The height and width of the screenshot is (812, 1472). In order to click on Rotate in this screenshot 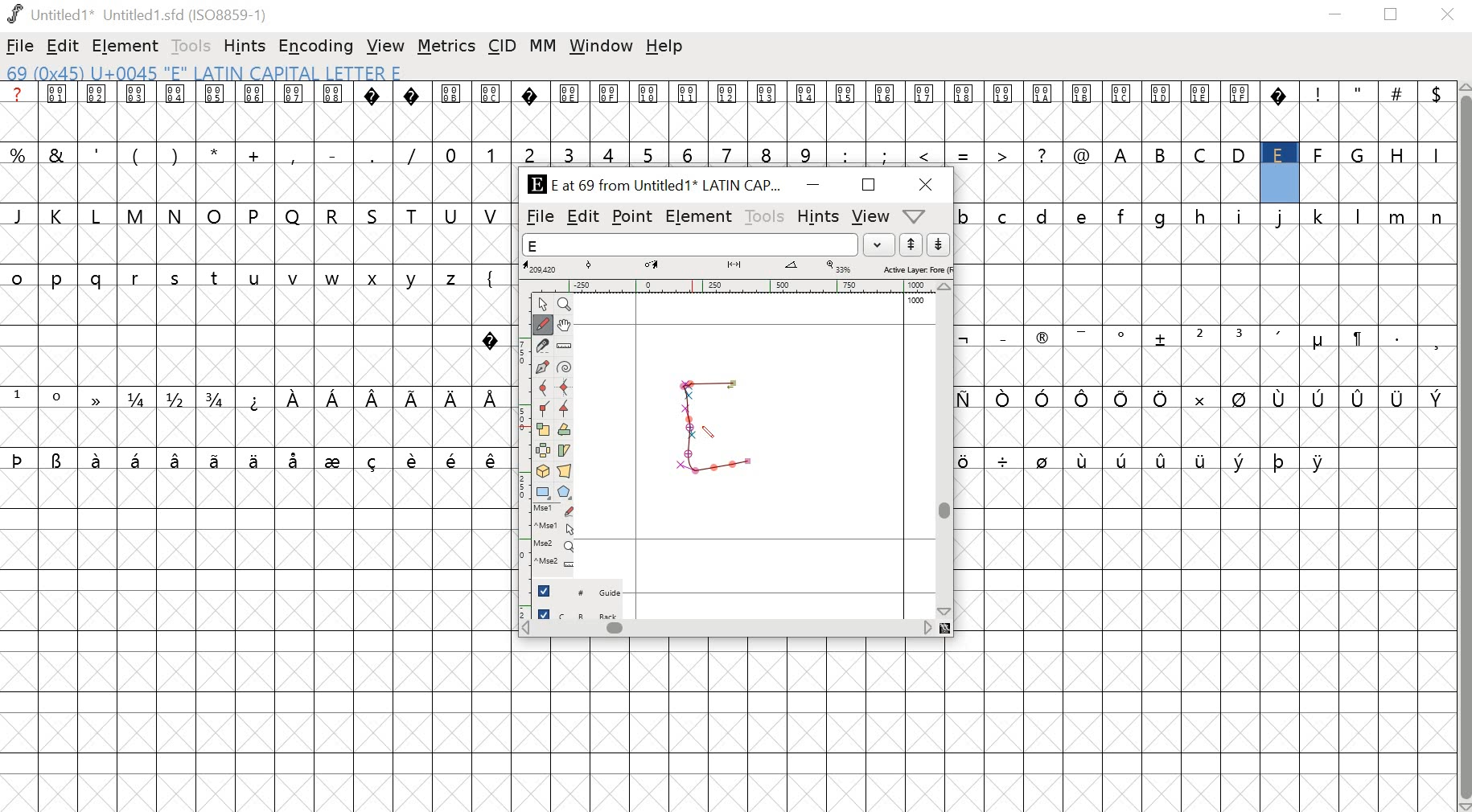, I will do `click(565, 430)`.